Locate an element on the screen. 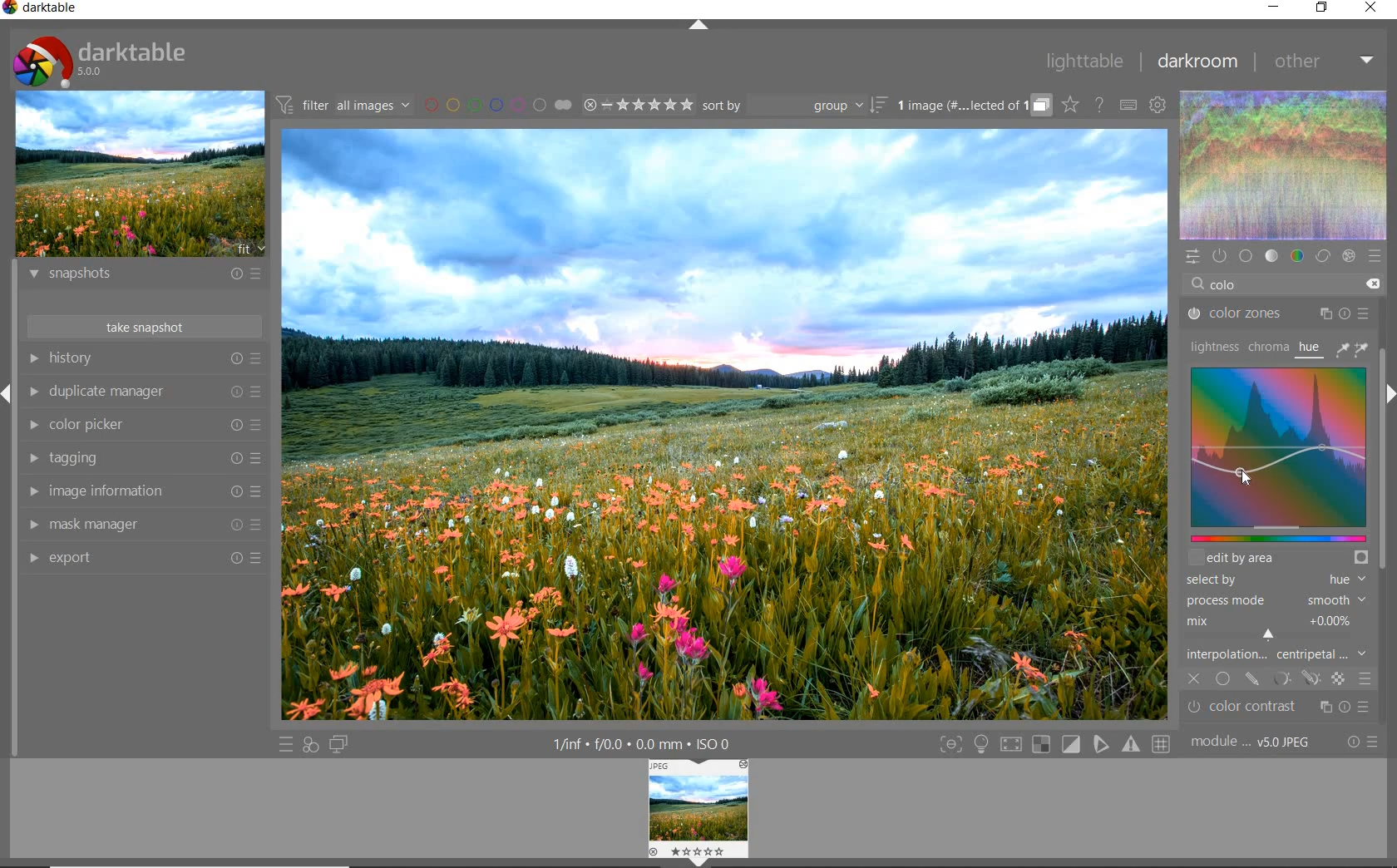  delete is located at coordinates (1373, 284).